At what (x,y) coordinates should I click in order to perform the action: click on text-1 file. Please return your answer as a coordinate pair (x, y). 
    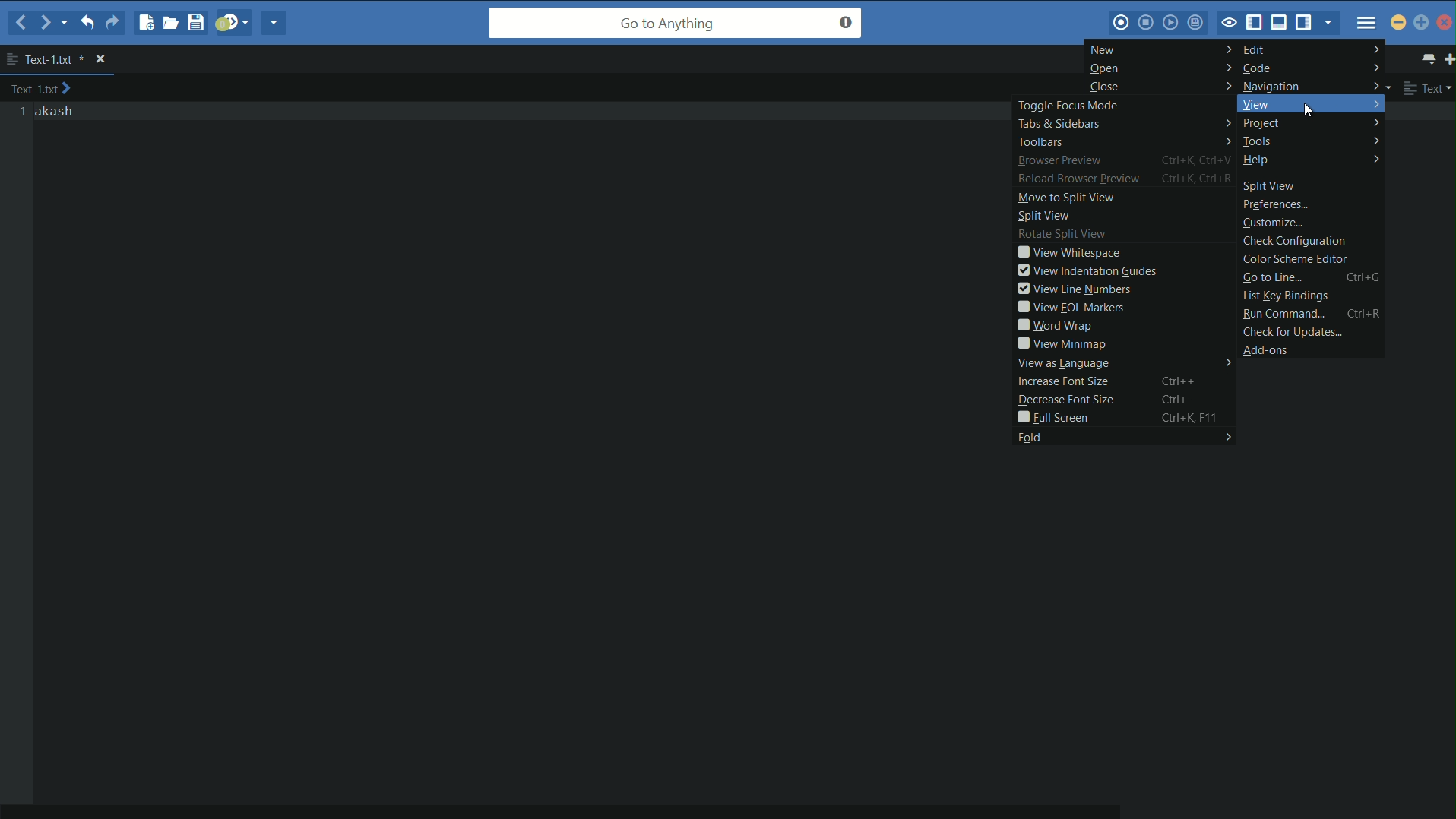
    Looking at the image, I should click on (42, 88).